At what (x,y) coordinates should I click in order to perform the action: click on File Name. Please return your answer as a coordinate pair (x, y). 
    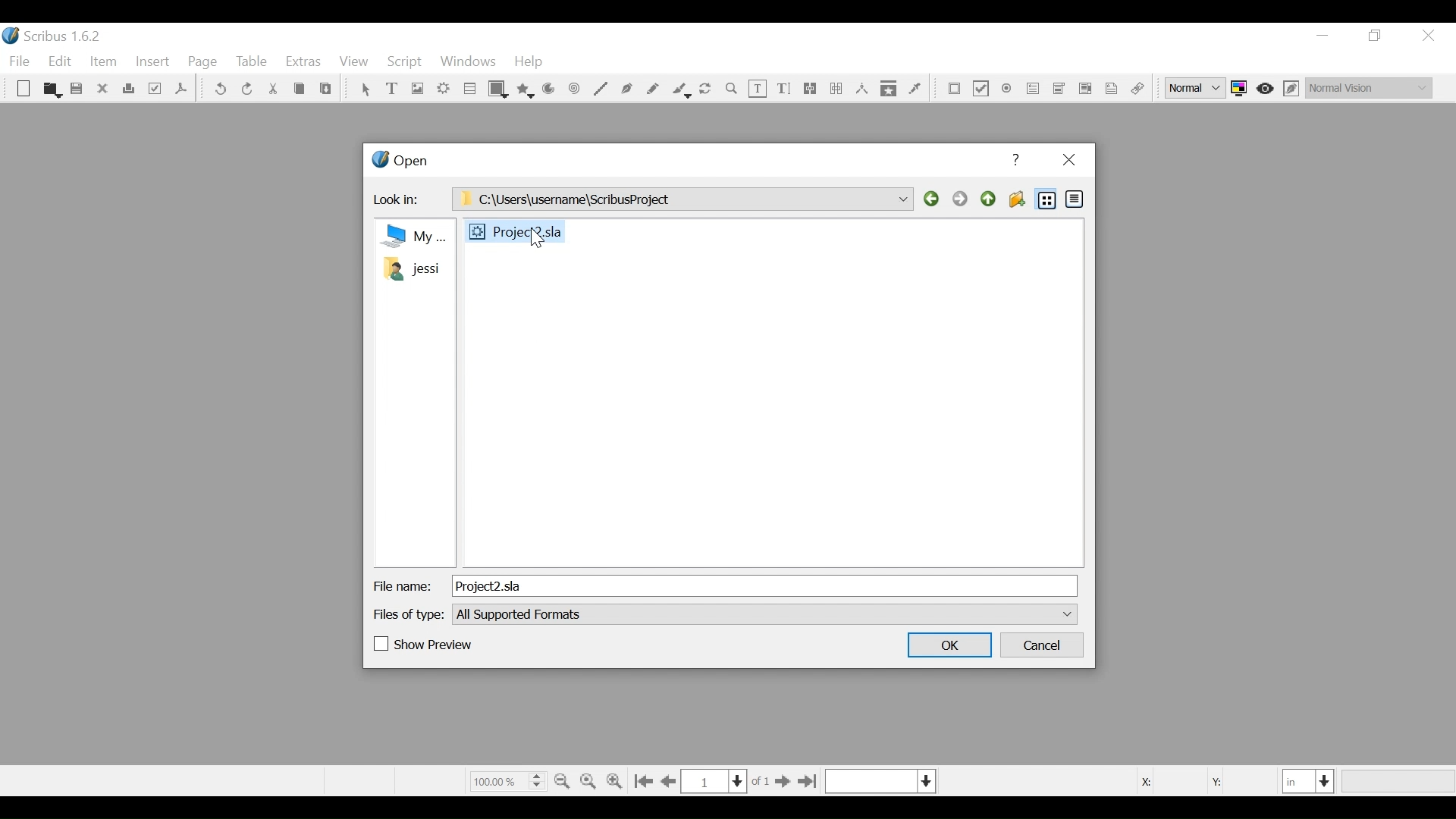
    Looking at the image, I should click on (403, 586).